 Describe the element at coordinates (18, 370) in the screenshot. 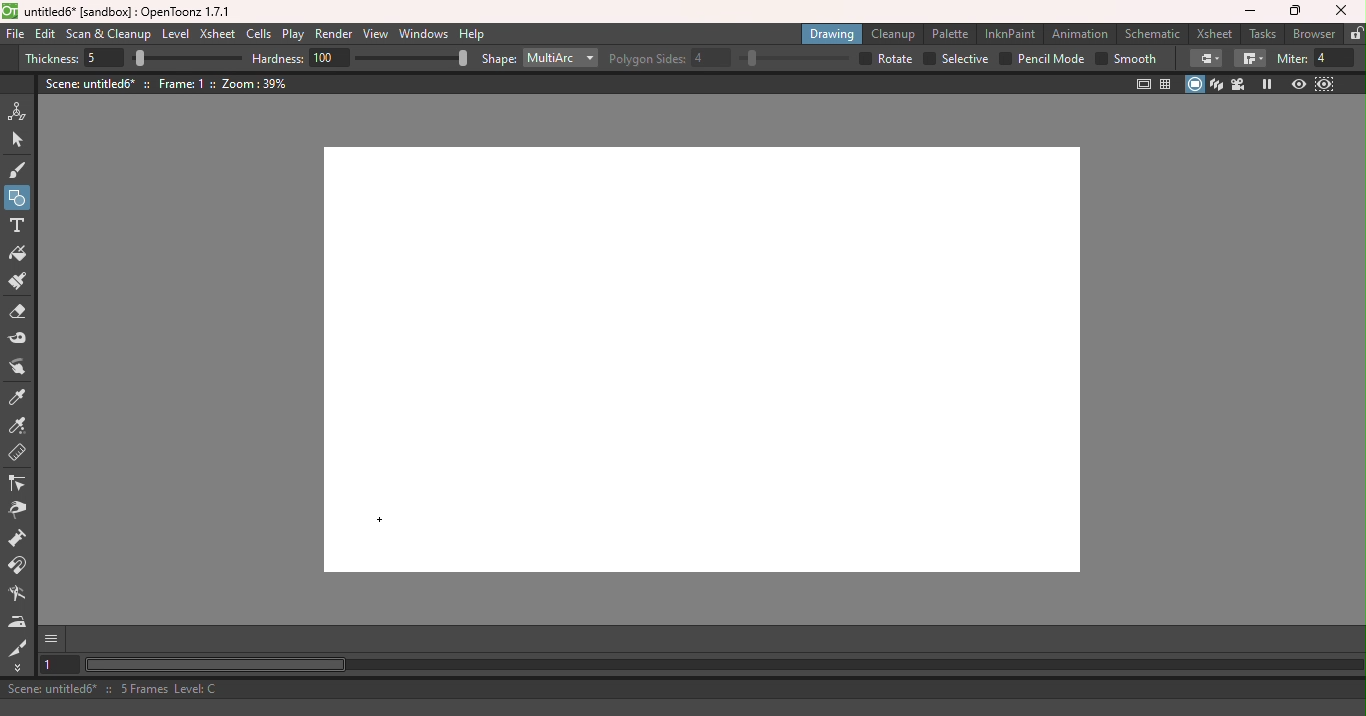

I see `Finger tool` at that location.